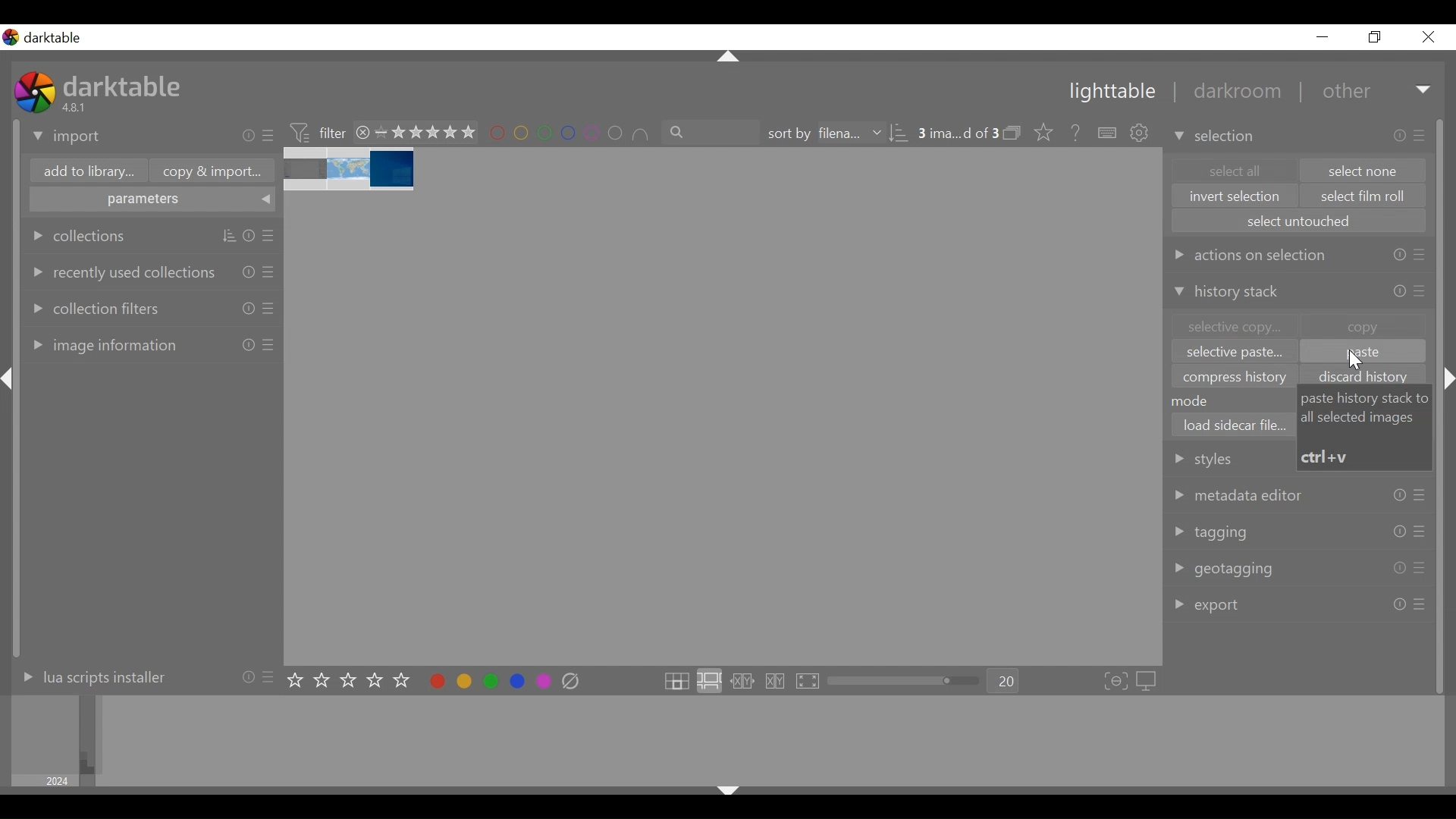 Image resolution: width=1456 pixels, height=819 pixels. Describe the element at coordinates (1425, 91) in the screenshot. I see `Expand` at that location.